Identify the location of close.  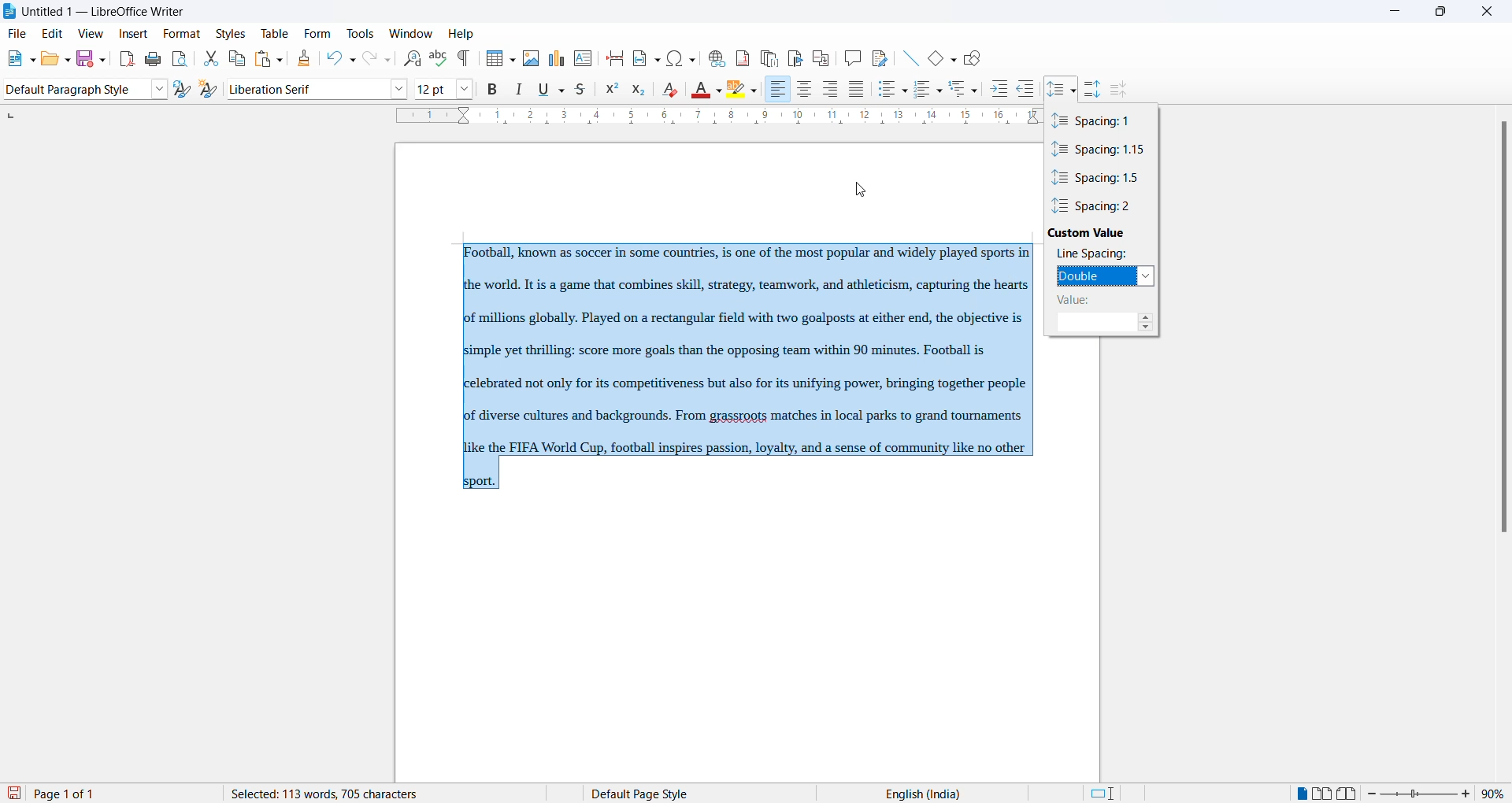
(1489, 13).